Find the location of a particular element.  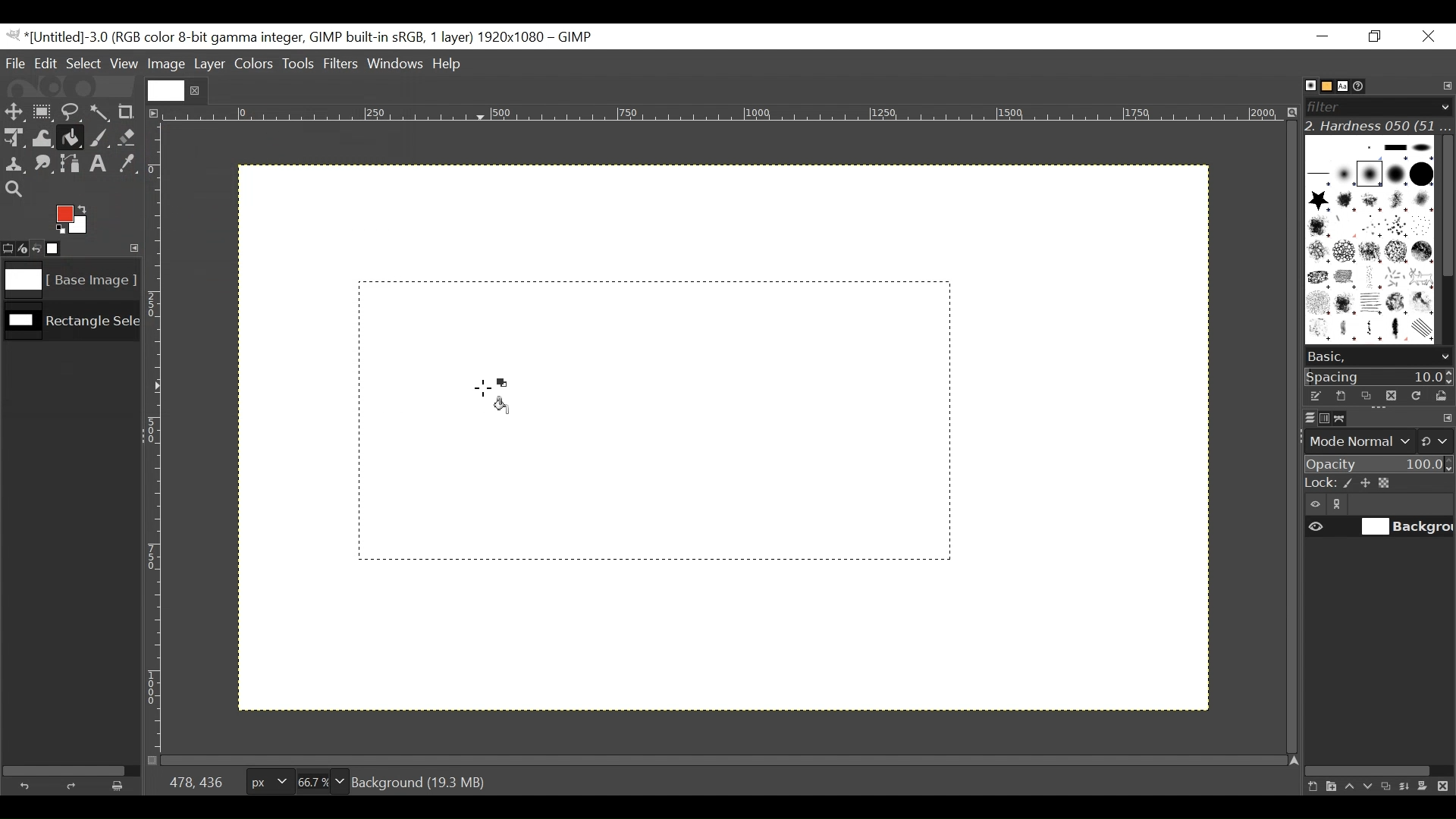

Background (19.3 MB) is located at coordinates (422, 781).